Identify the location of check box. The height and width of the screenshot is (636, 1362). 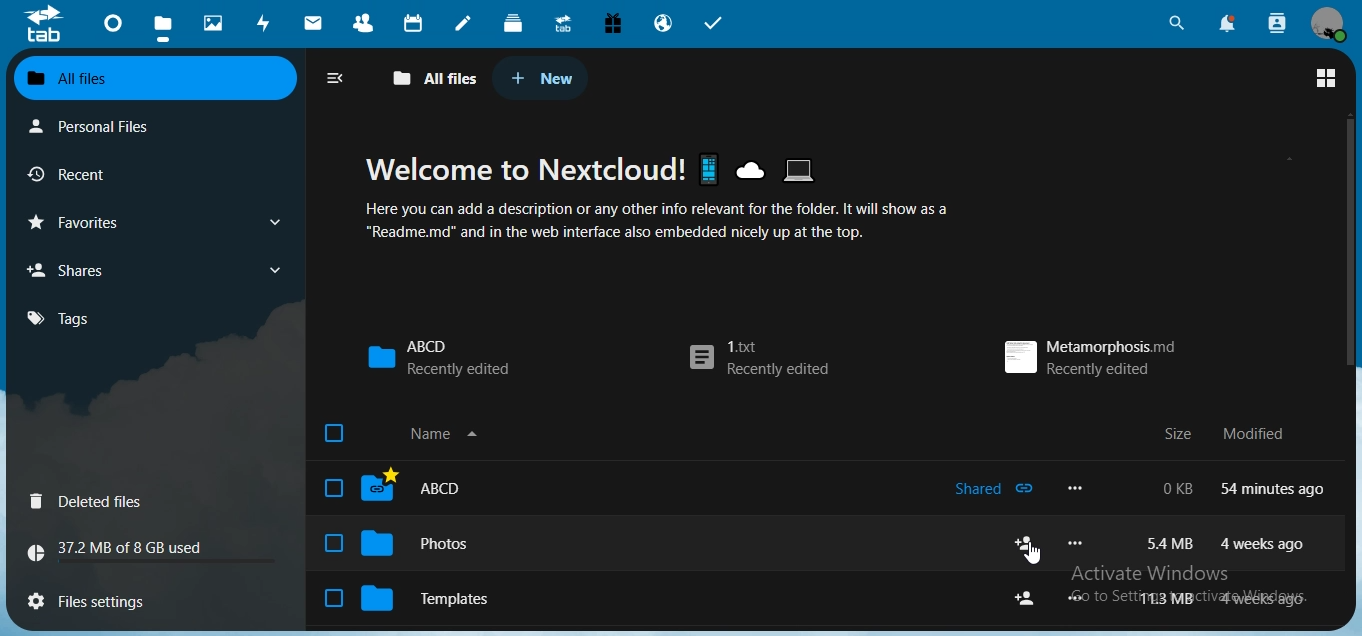
(332, 544).